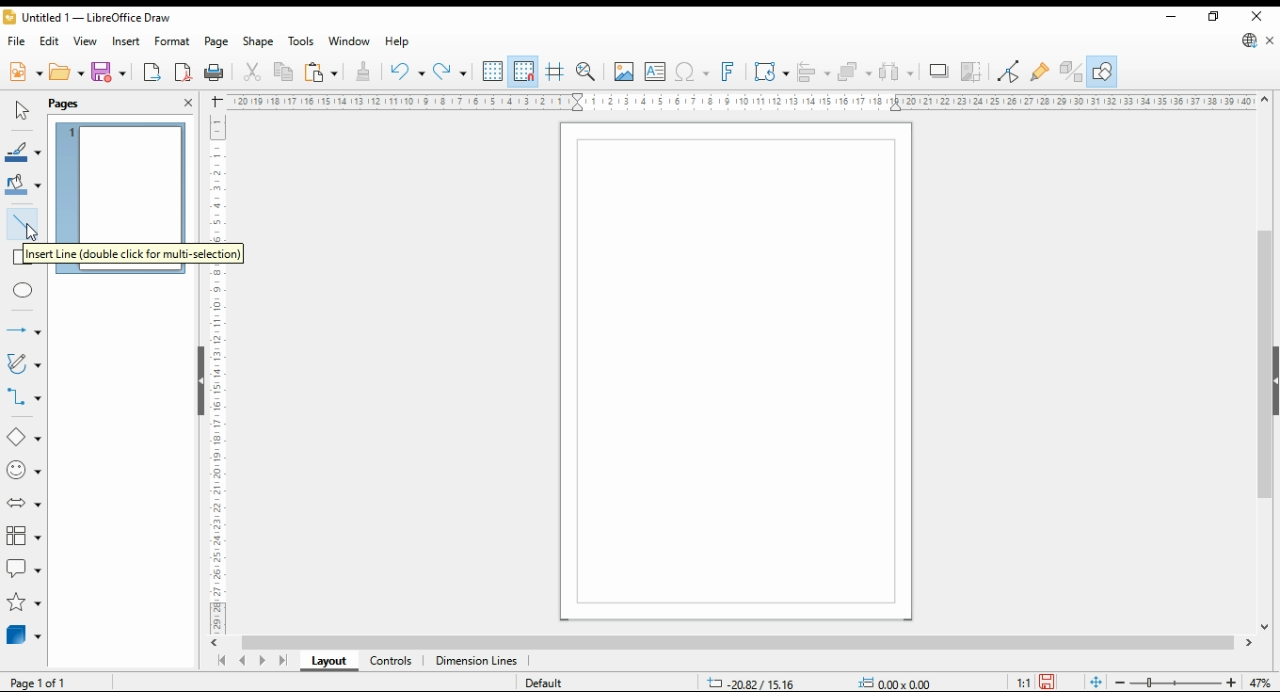 This screenshot has height=692, width=1280. I want to click on export as PDF, so click(183, 72).